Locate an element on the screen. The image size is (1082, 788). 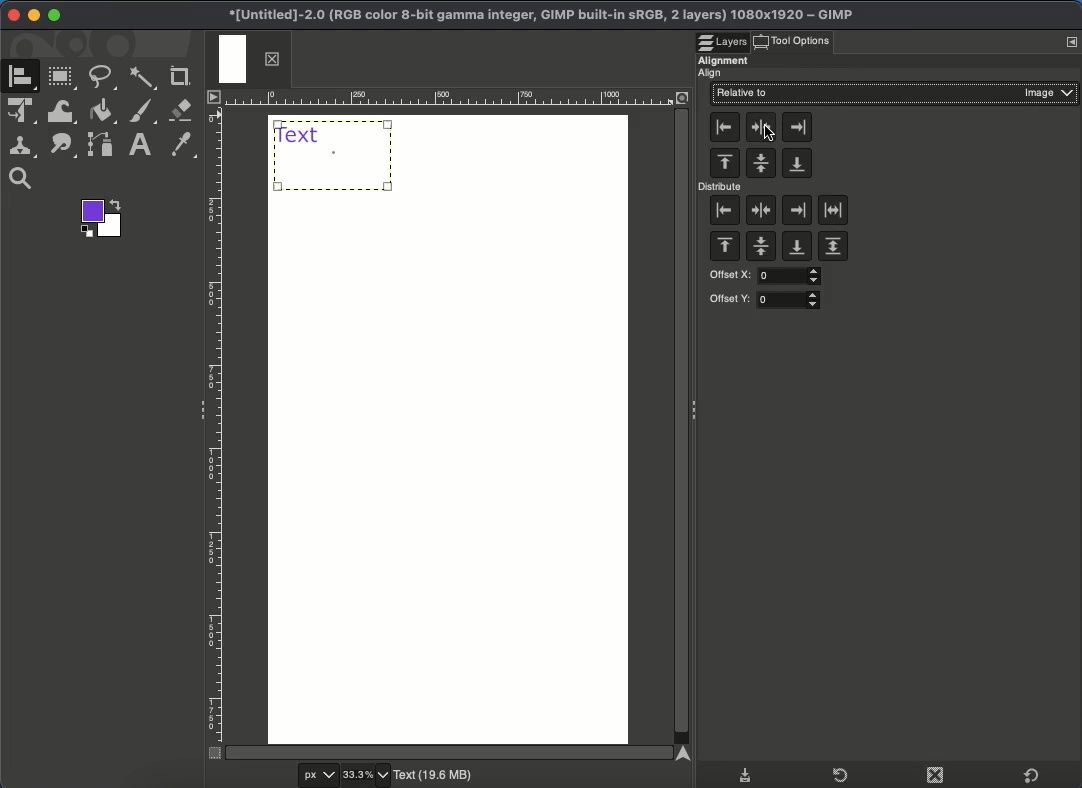
Scroll is located at coordinates (683, 426).